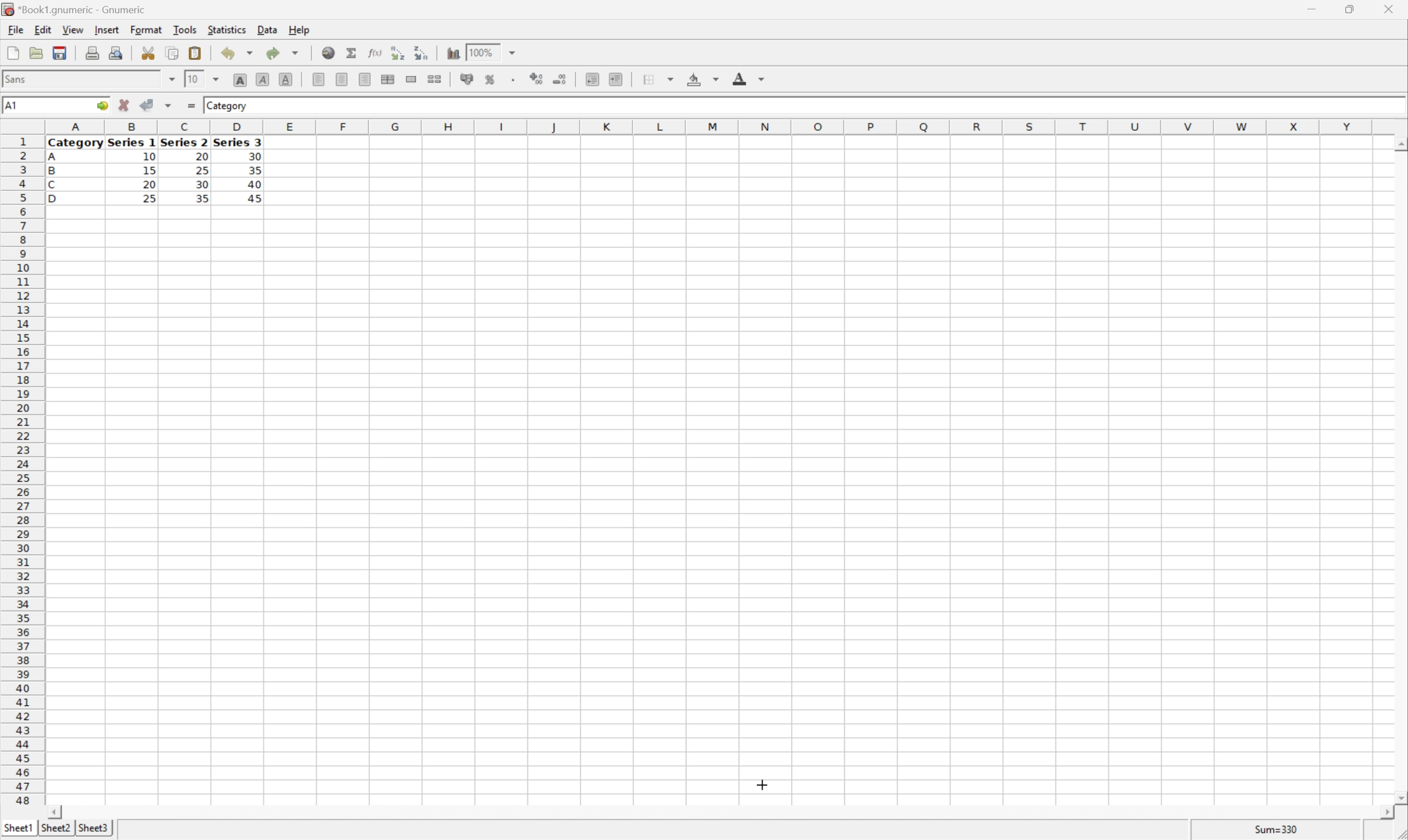  Describe the element at coordinates (200, 155) in the screenshot. I see `20` at that location.